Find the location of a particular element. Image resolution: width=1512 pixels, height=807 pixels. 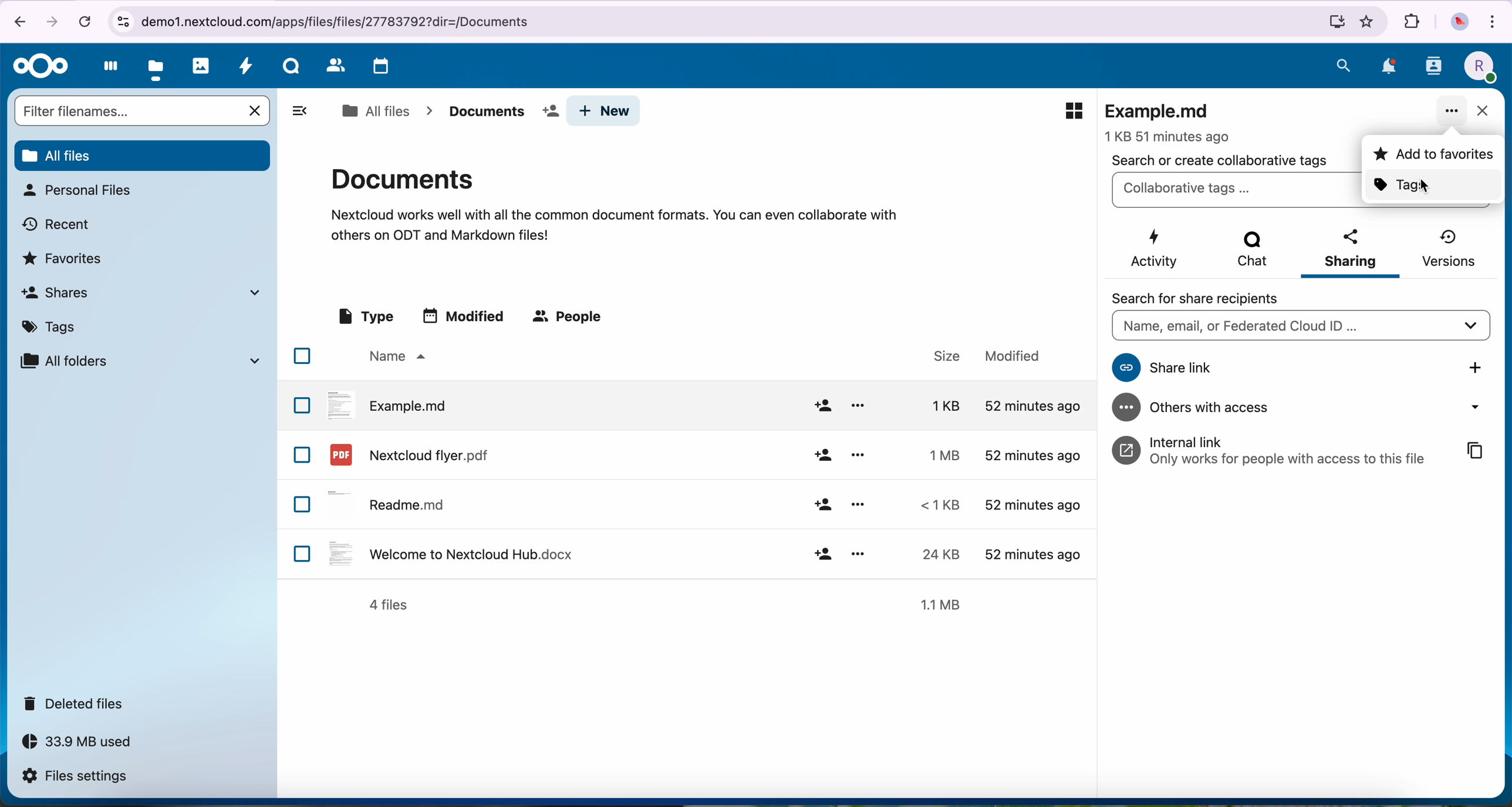

cursor is located at coordinates (1425, 186).